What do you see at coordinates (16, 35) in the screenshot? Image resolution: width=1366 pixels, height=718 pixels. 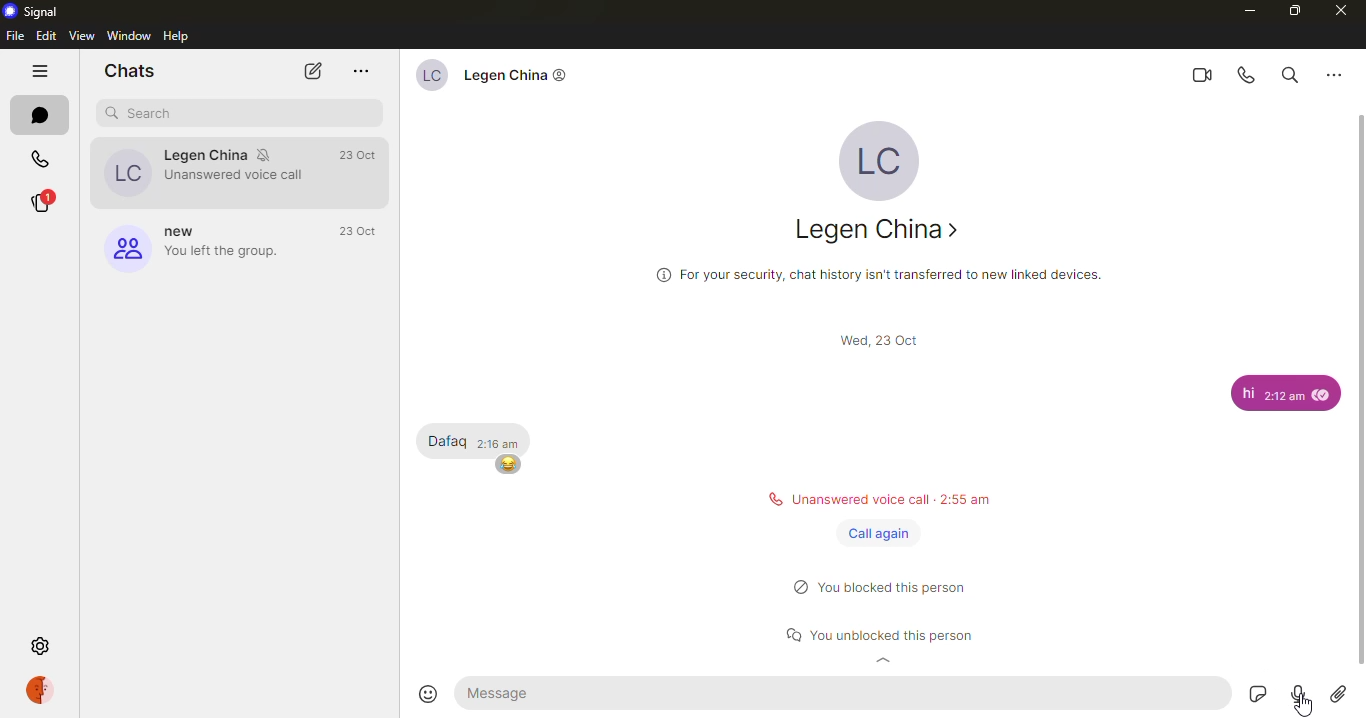 I see `file` at bounding box center [16, 35].